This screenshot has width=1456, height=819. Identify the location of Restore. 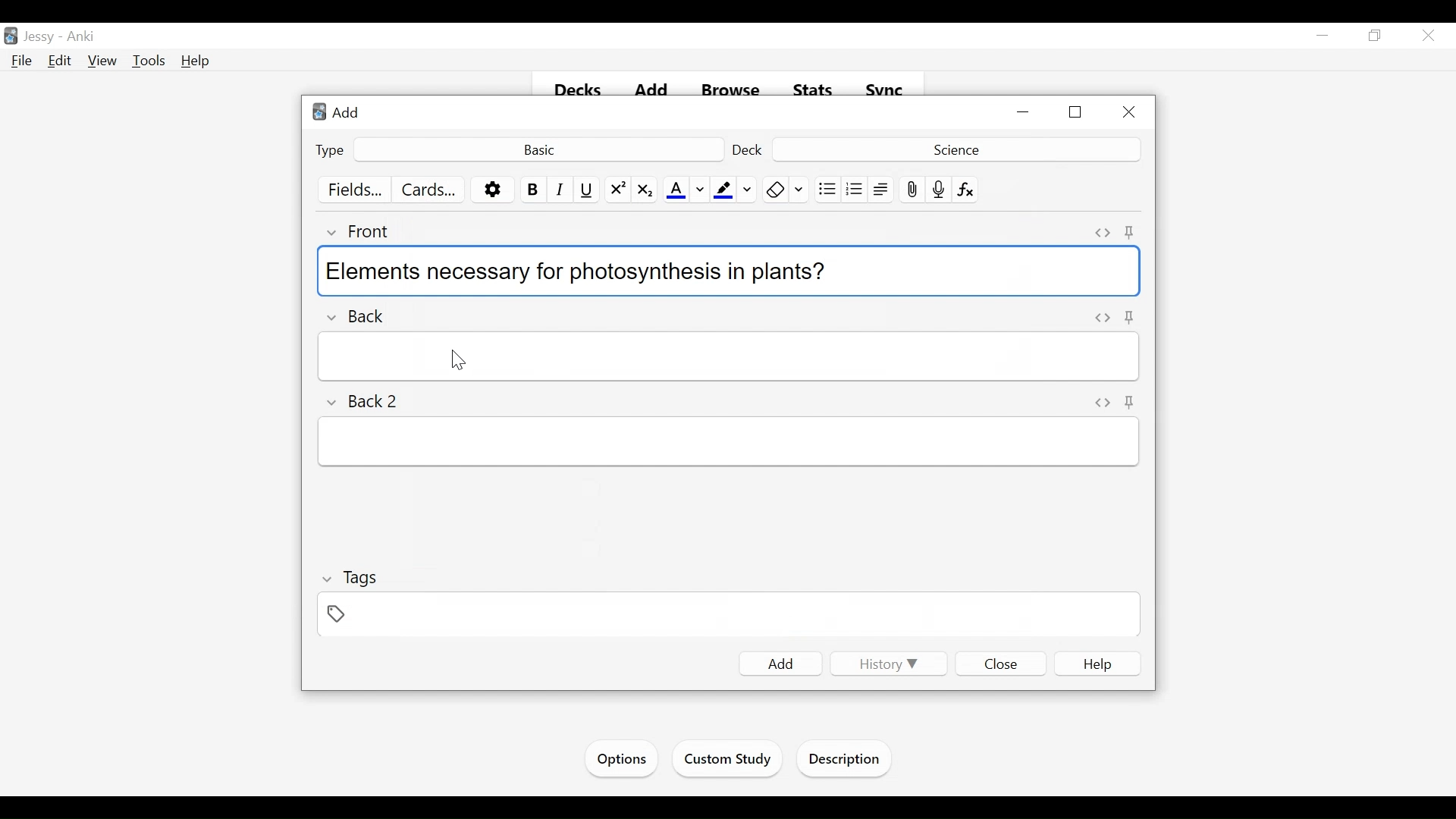
(1373, 36).